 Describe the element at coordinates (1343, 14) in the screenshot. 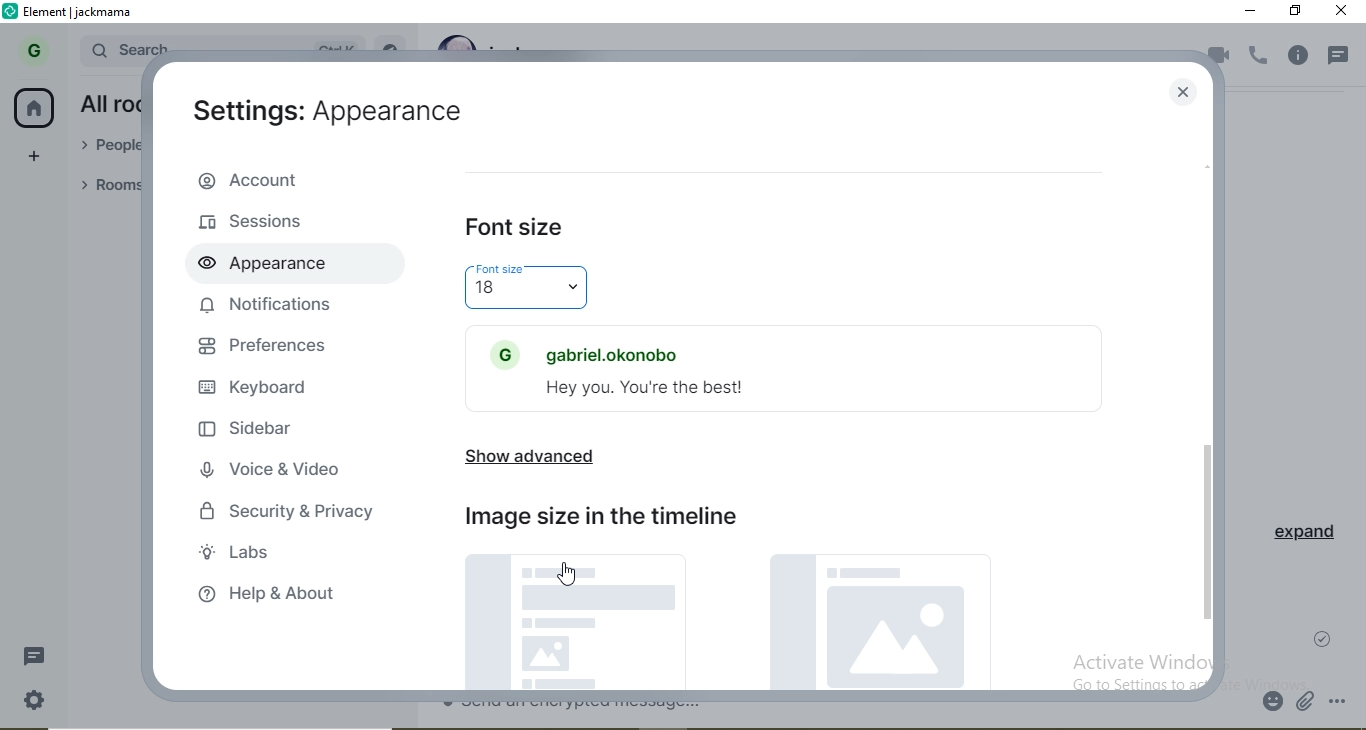

I see `close` at that location.